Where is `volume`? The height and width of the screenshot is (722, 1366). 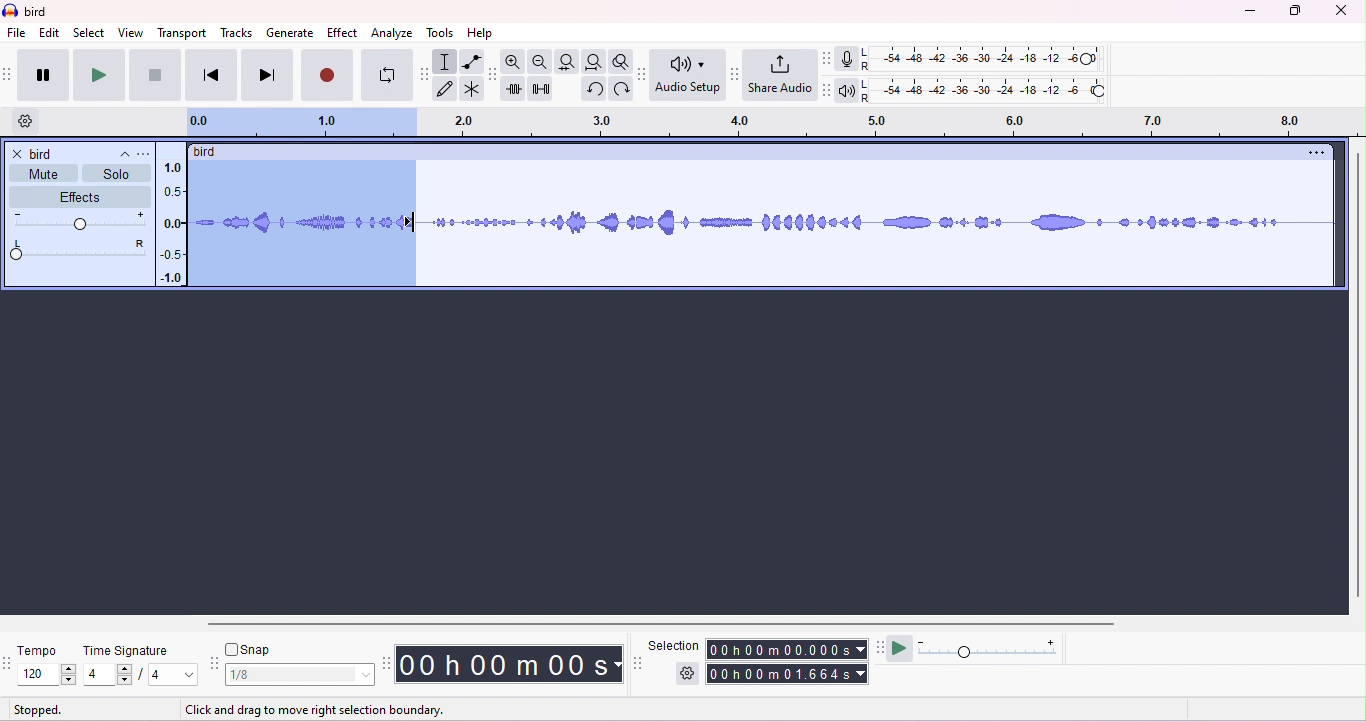 volume is located at coordinates (81, 220).